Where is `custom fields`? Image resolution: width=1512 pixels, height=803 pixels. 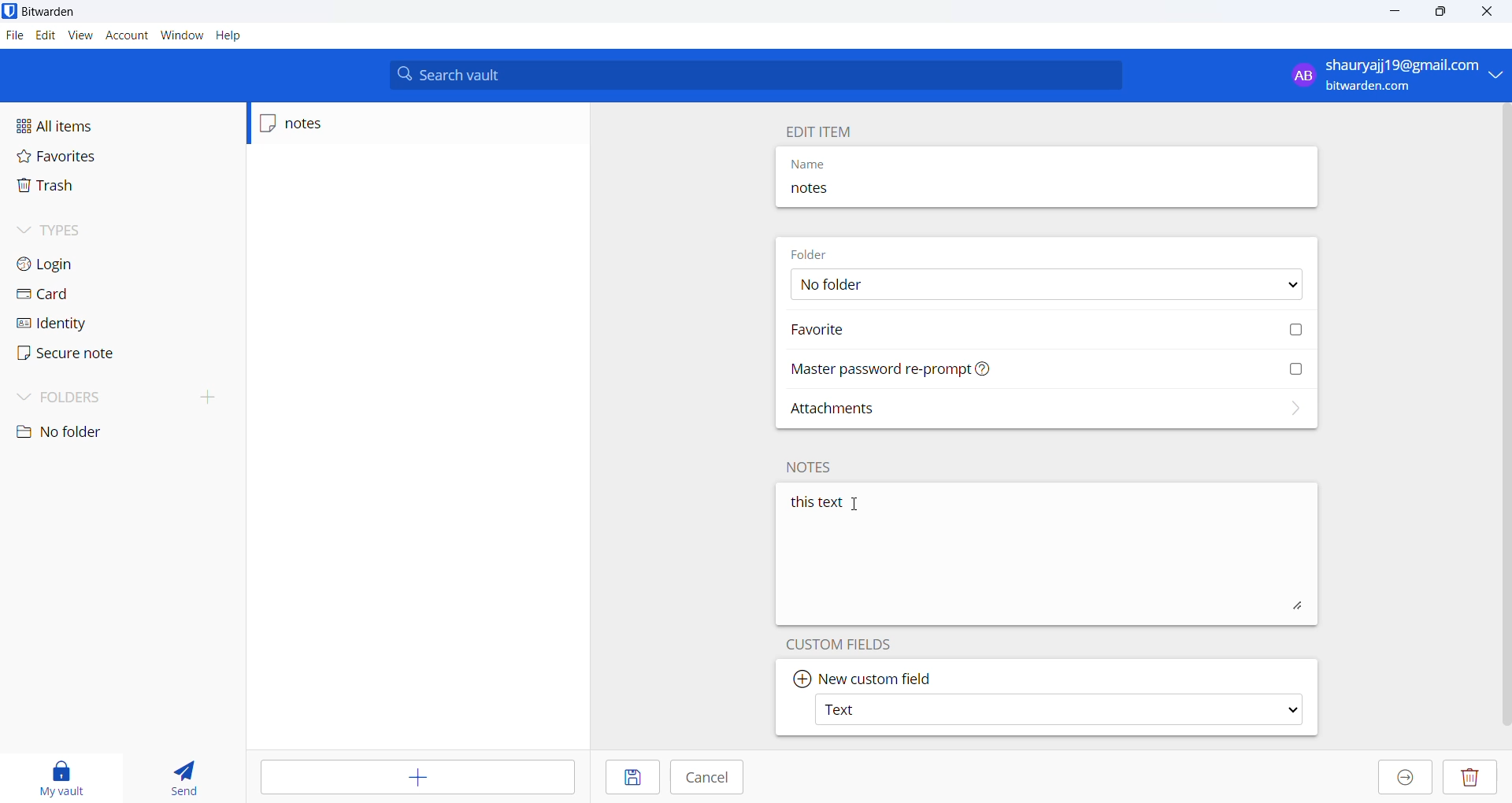 custom fields is located at coordinates (844, 645).